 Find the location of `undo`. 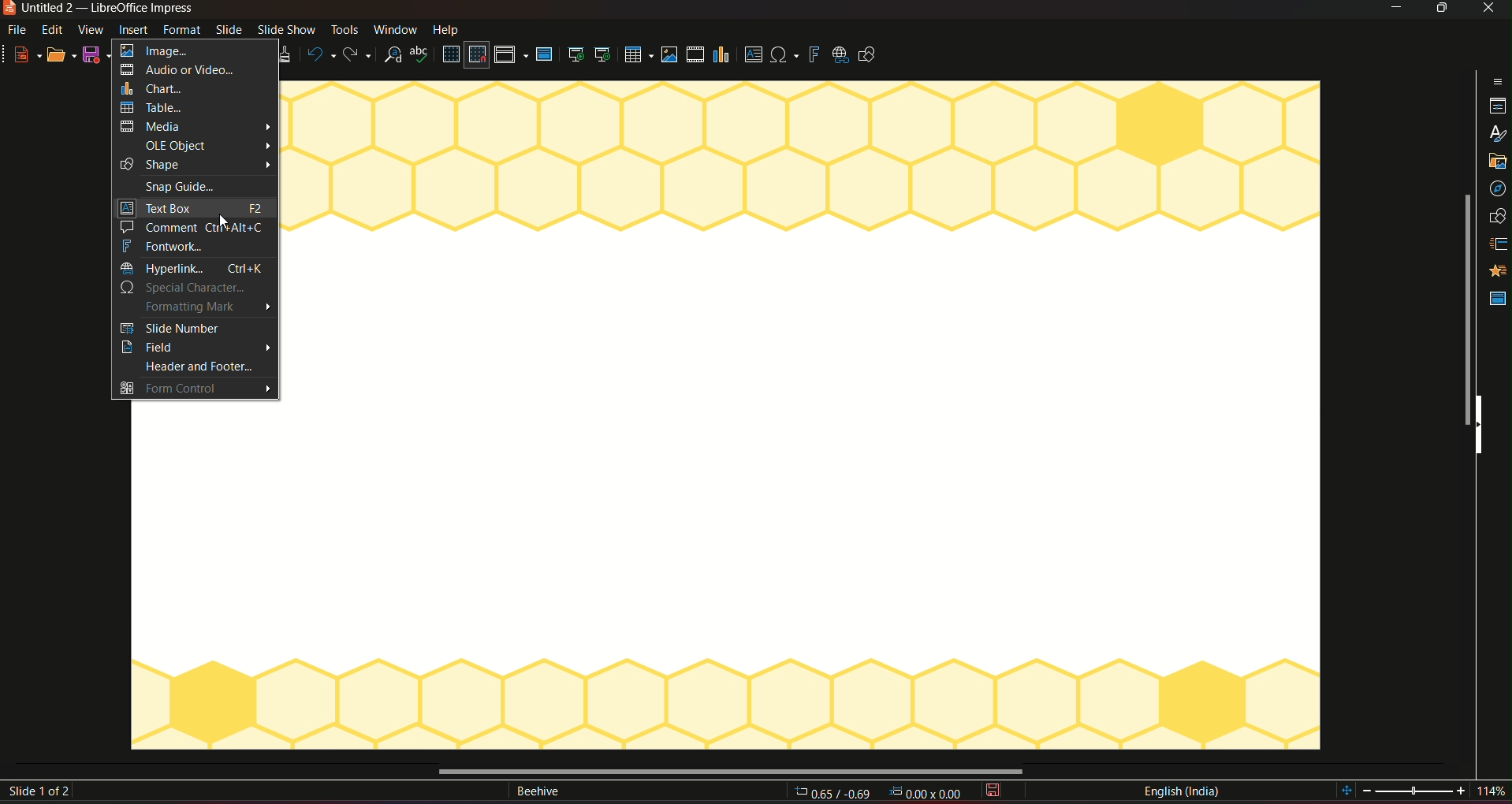

undo is located at coordinates (320, 54).